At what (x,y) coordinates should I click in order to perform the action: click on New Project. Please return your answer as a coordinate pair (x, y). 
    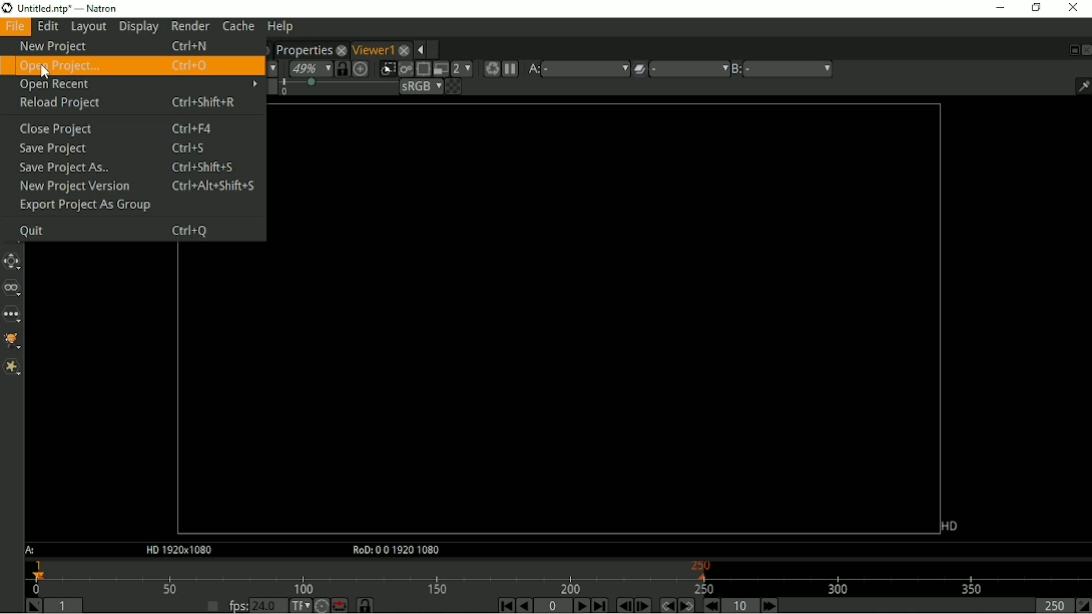
    Looking at the image, I should click on (115, 46).